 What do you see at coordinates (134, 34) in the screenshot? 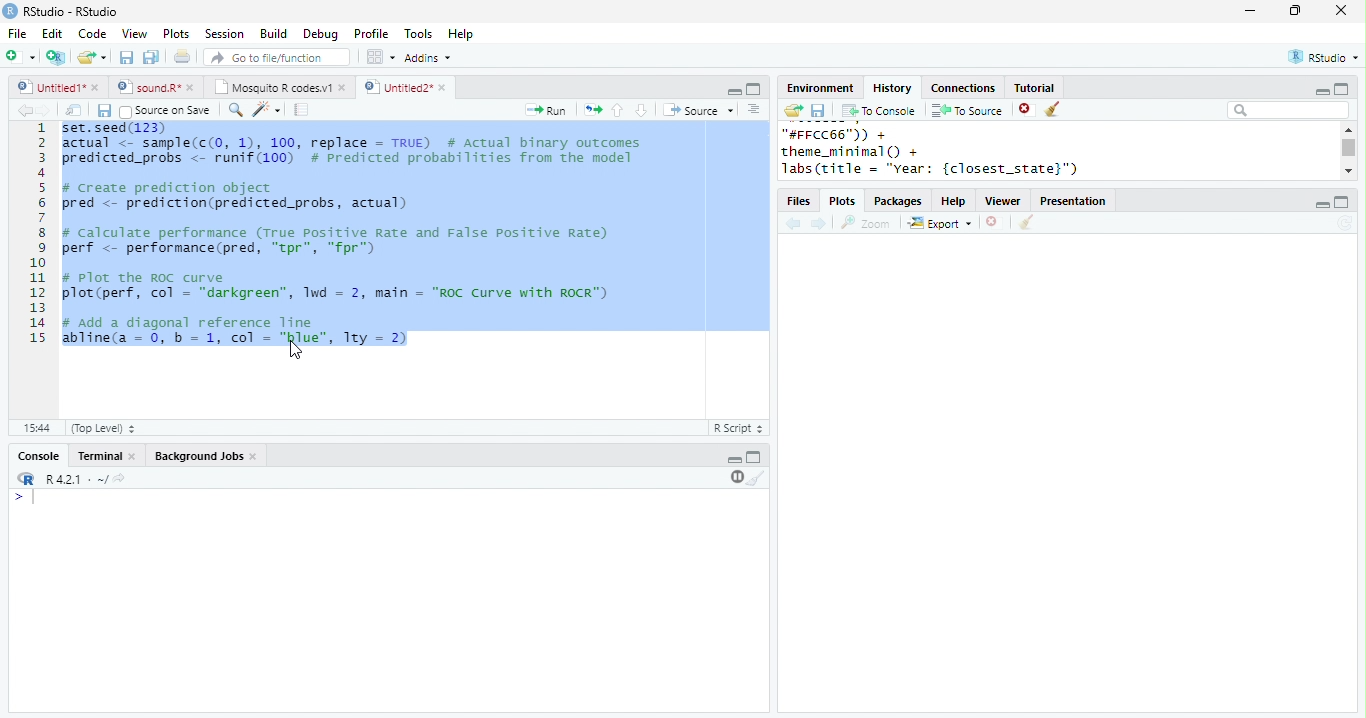
I see `View` at bounding box center [134, 34].